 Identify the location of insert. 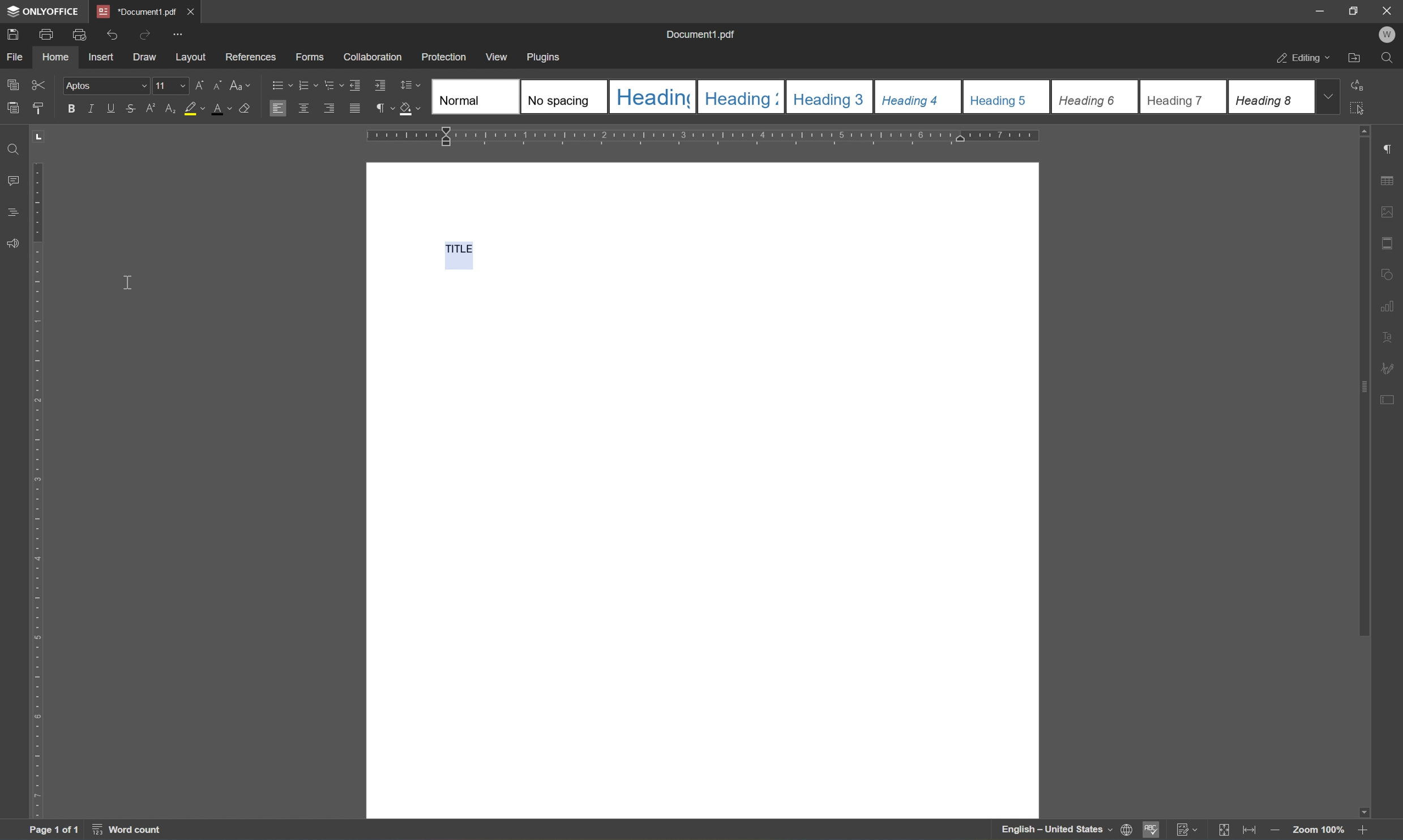
(101, 56).